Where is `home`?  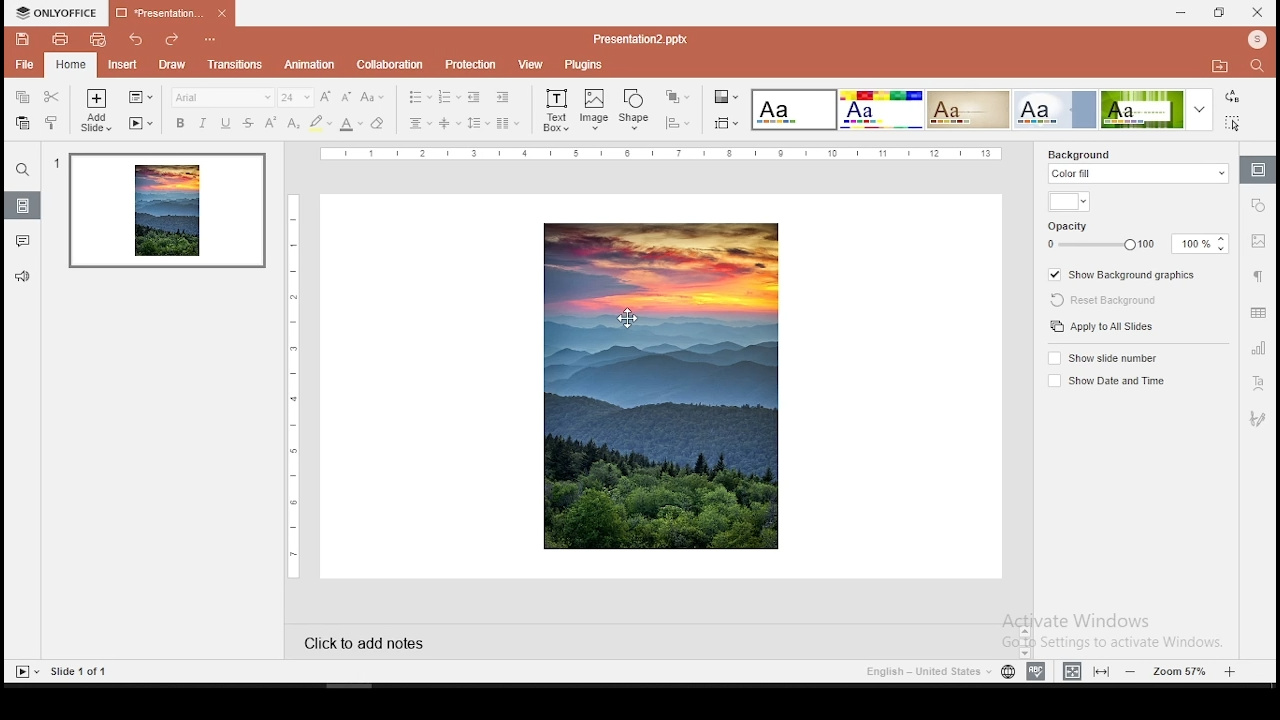 home is located at coordinates (69, 65).